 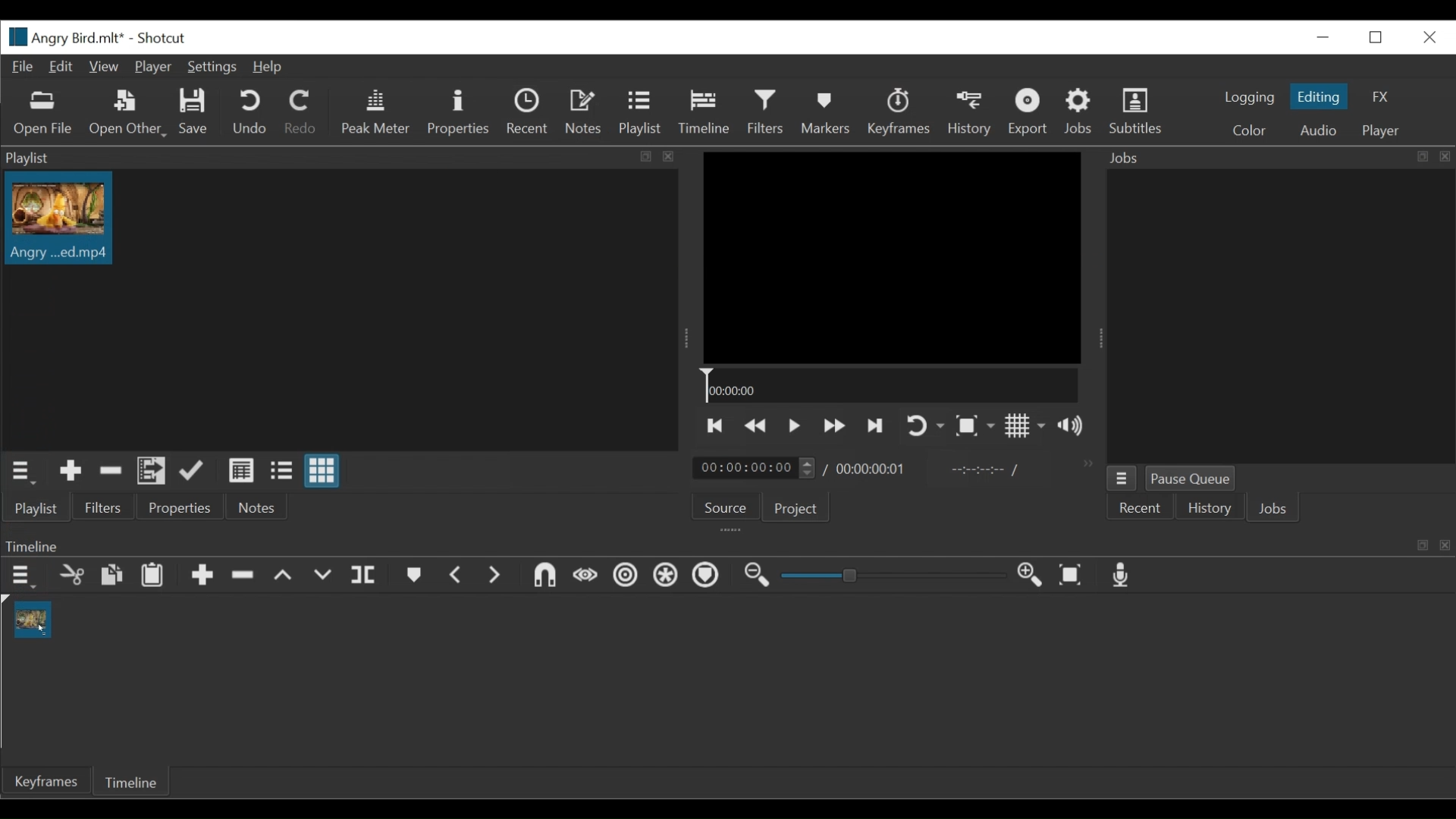 What do you see at coordinates (105, 507) in the screenshot?
I see `Filters` at bounding box center [105, 507].